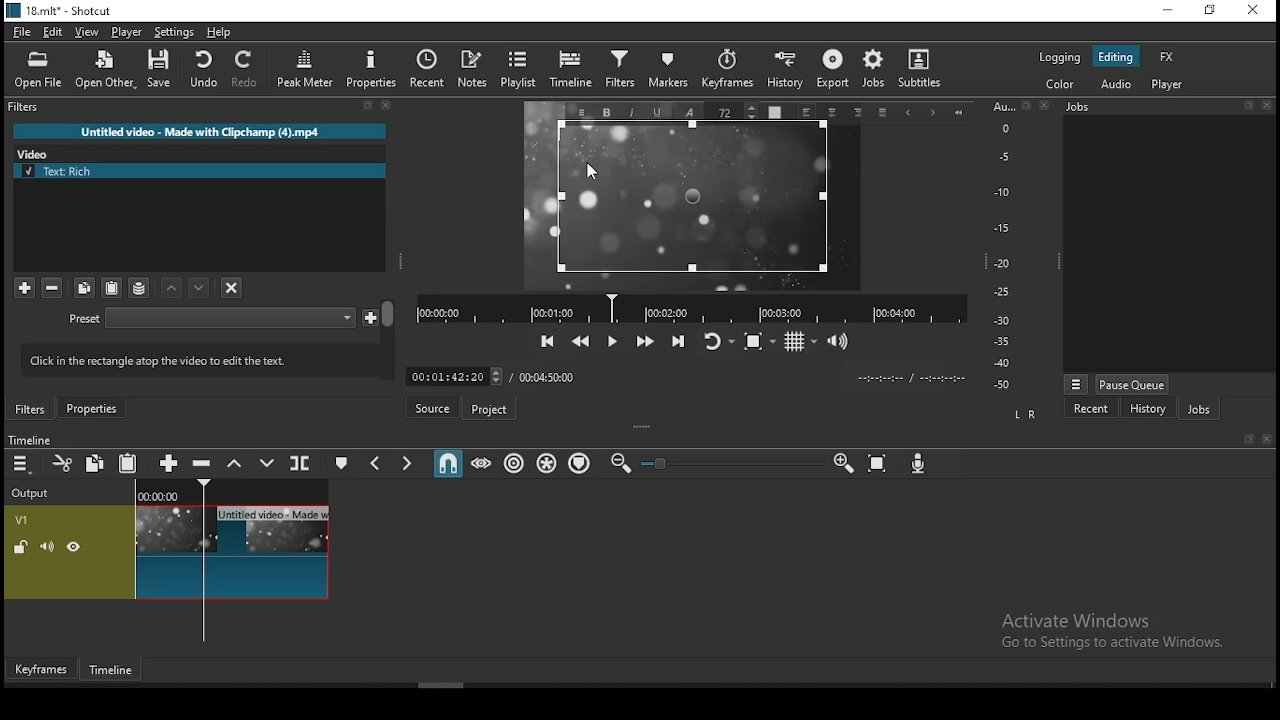 The image size is (1280, 720). Describe the element at coordinates (201, 287) in the screenshot. I see `move filter up` at that location.